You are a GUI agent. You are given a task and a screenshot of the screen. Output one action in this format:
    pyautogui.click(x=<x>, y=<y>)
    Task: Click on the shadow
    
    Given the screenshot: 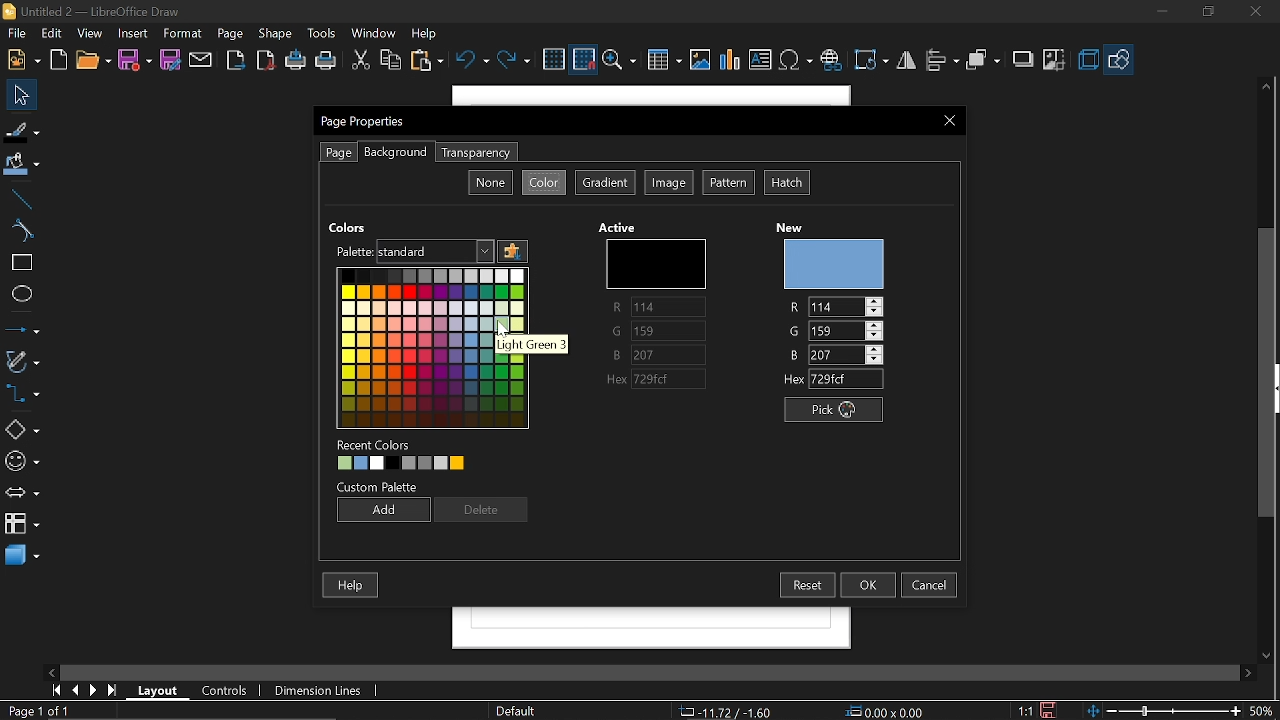 What is the action you would take?
    pyautogui.click(x=1022, y=59)
    